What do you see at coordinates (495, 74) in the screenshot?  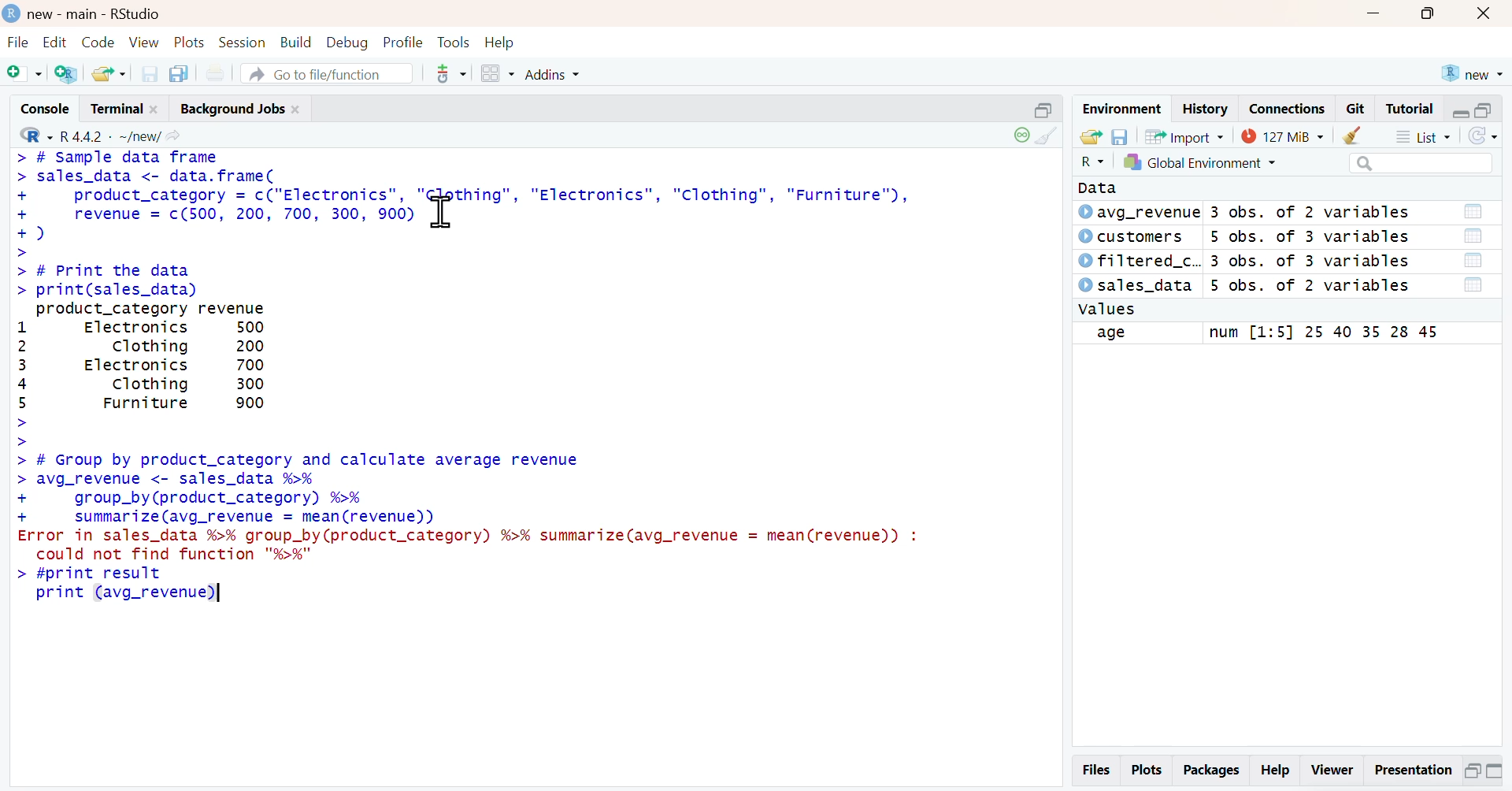 I see `Workspace panes` at bounding box center [495, 74].